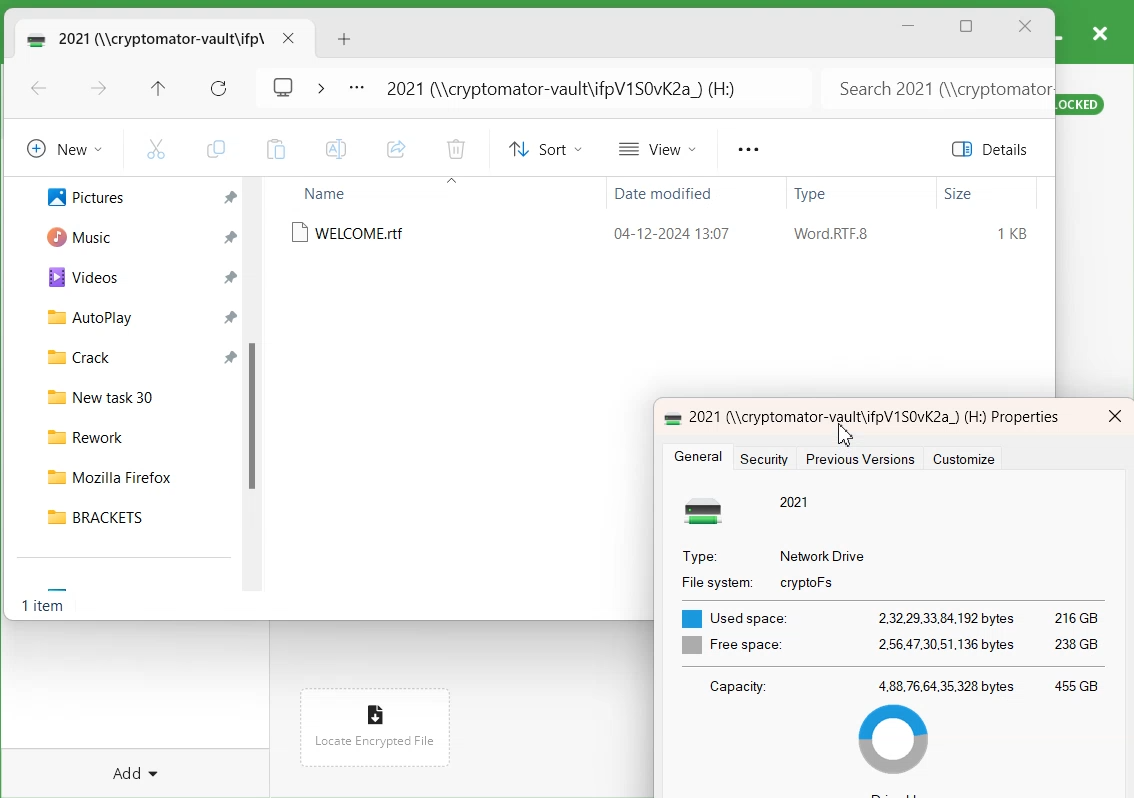 This screenshot has height=798, width=1134. Describe the element at coordinates (859, 459) in the screenshot. I see `Previous Versions` at that location.